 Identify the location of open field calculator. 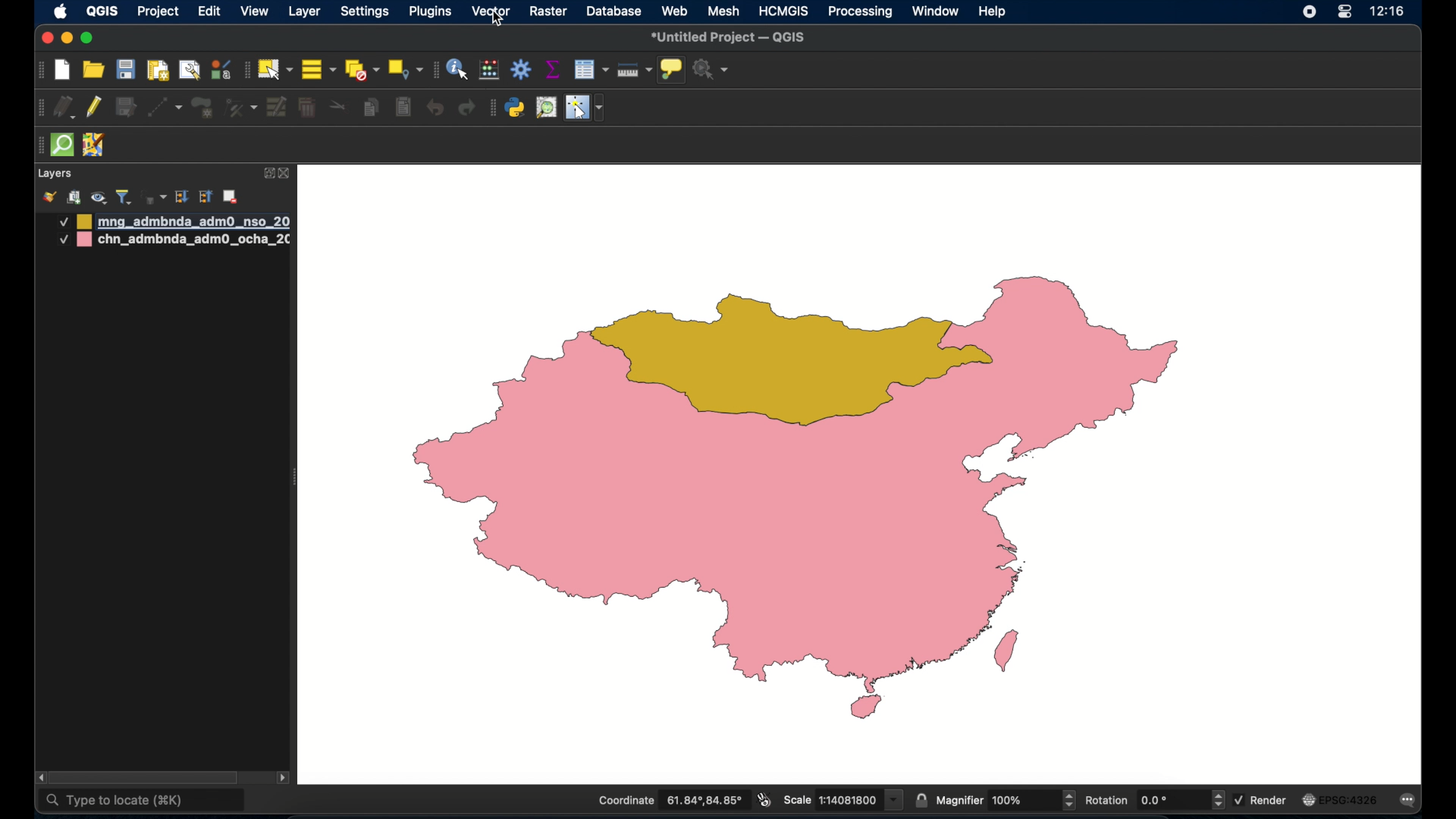
(489, 69).